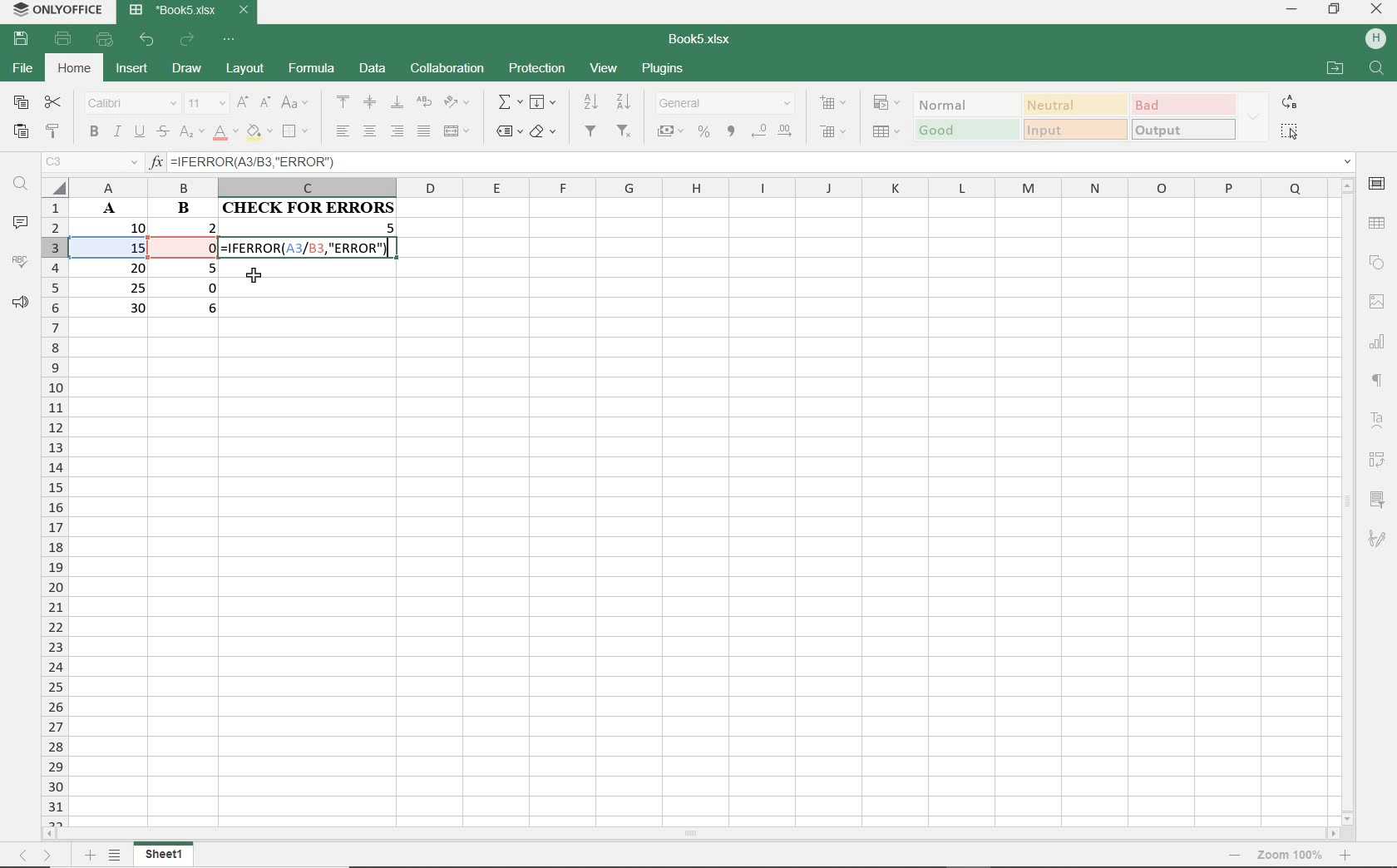 The width and height of the screenshot is (1397, 868). Describe the element at coordinates (626, 101) in the screenshot. I see `SORT DESCENDING` at that location.